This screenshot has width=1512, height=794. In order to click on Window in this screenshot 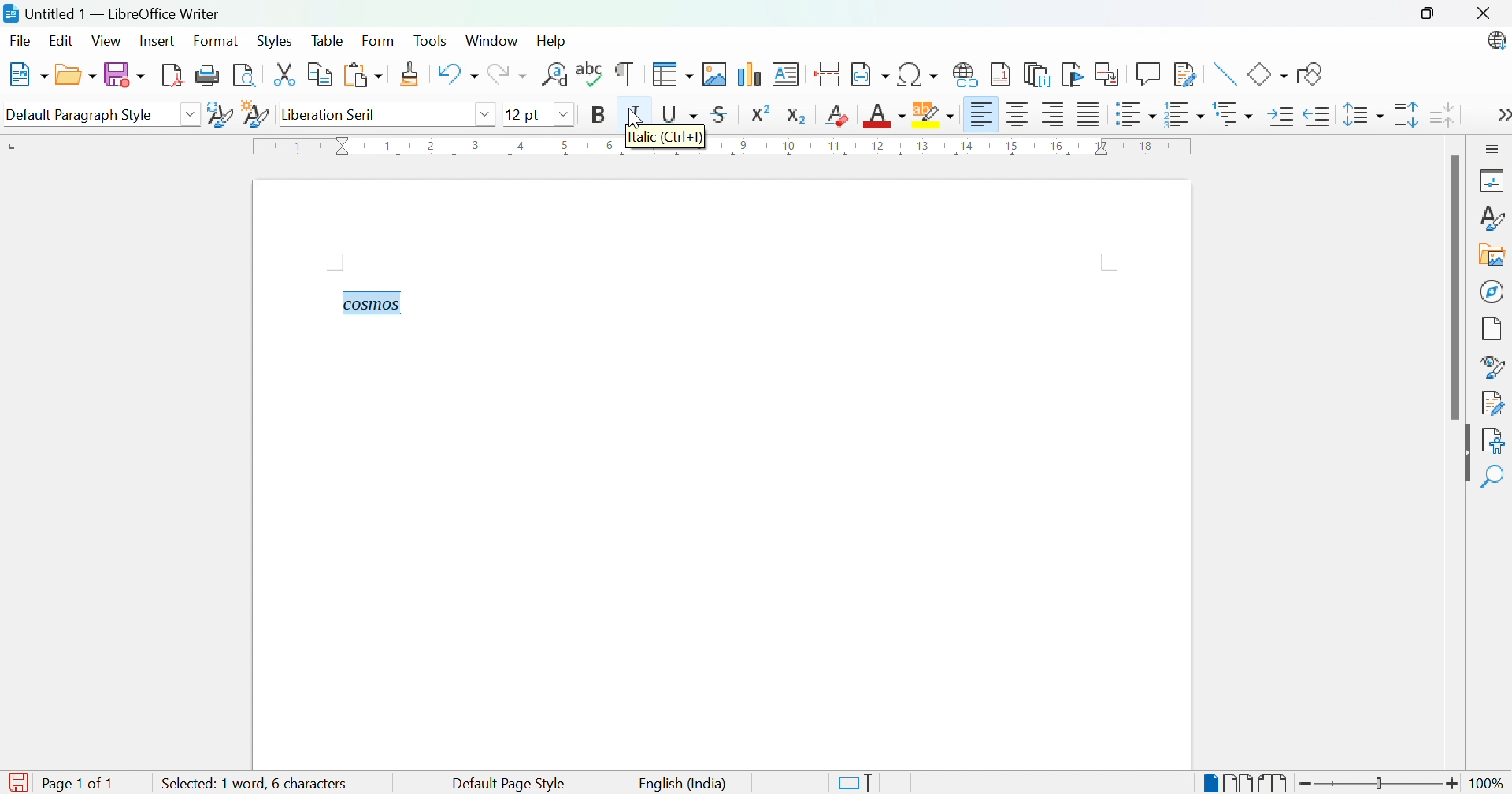, I will do `click(492, 41)`.